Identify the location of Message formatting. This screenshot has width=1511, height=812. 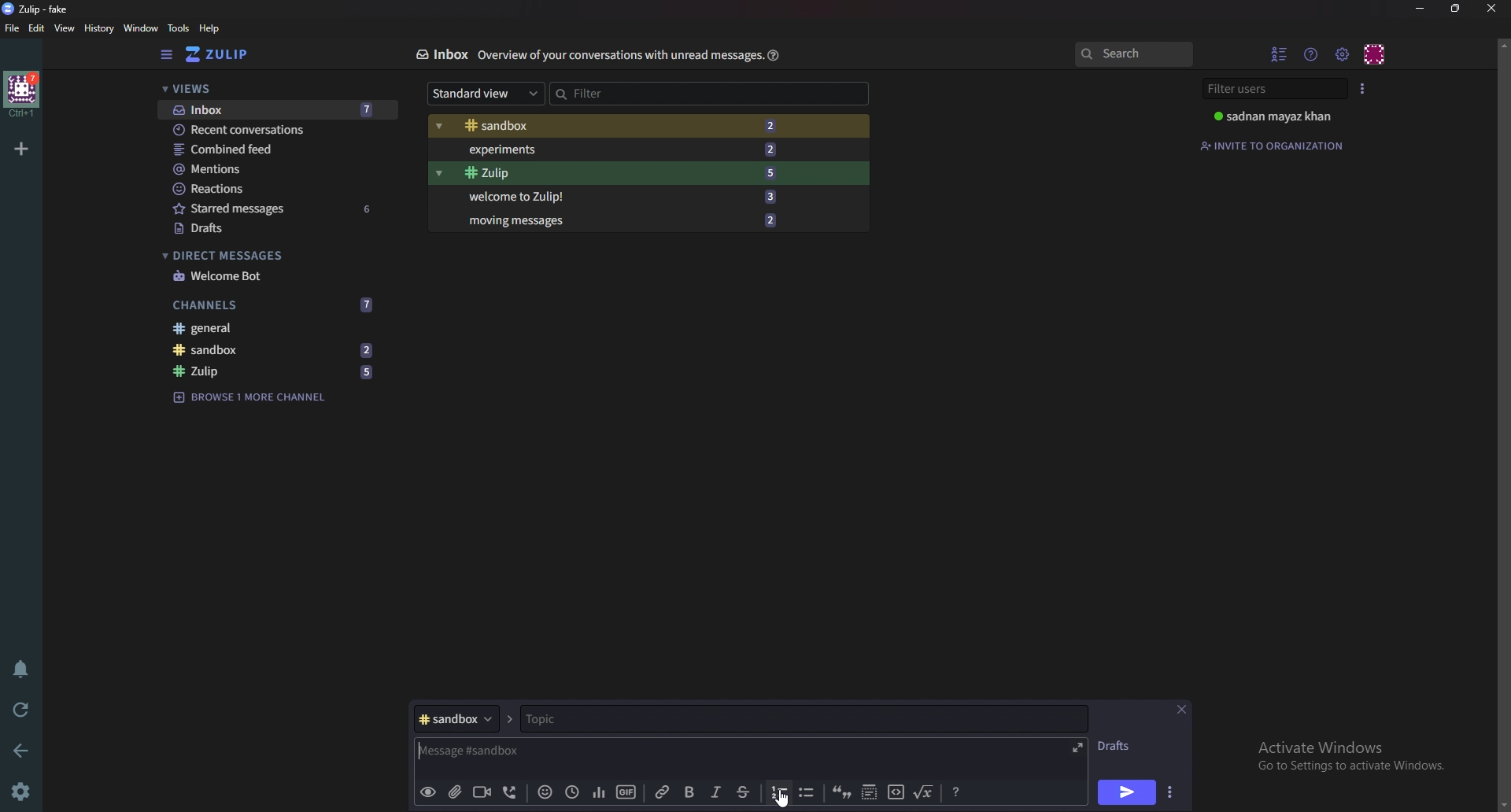
(955, 792).